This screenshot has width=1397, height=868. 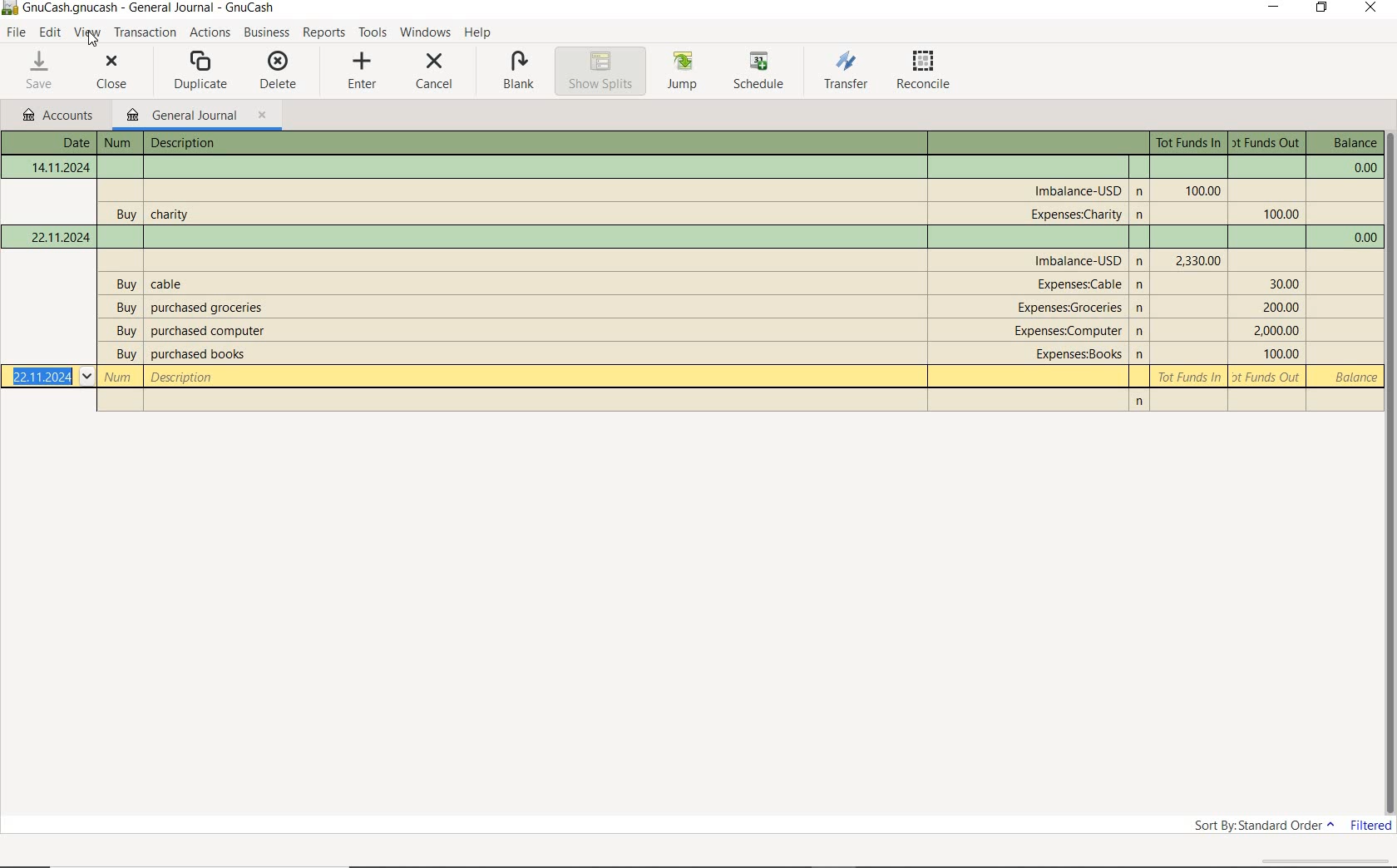 What do you see at coordinates (168, 284) in the screenshot?
I see `description` at bounding box center [168, 284].